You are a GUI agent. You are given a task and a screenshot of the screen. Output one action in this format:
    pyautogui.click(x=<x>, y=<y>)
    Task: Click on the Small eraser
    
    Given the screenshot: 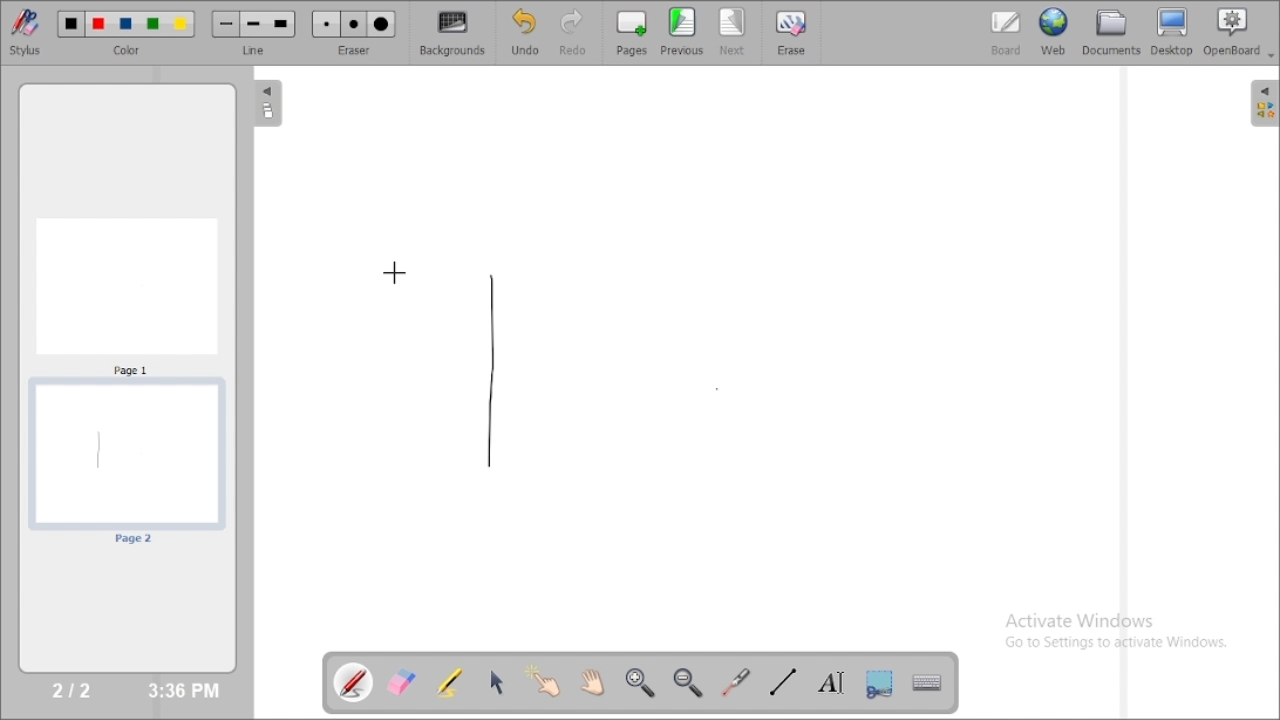 What is the action you would take?
    pyautogui.click(x=326, y=25)
    